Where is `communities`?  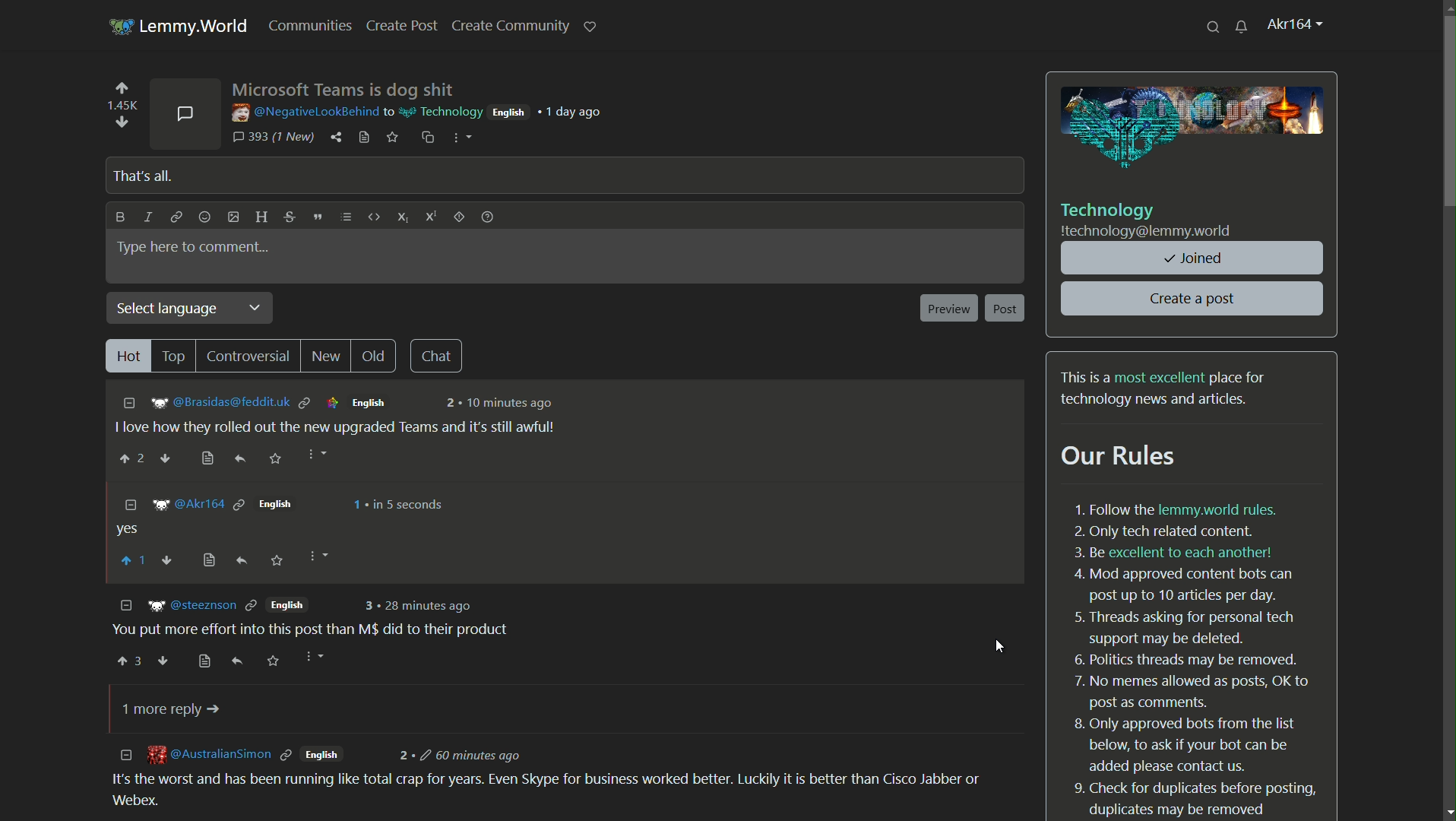 communities is located at coordinates (315, 26).